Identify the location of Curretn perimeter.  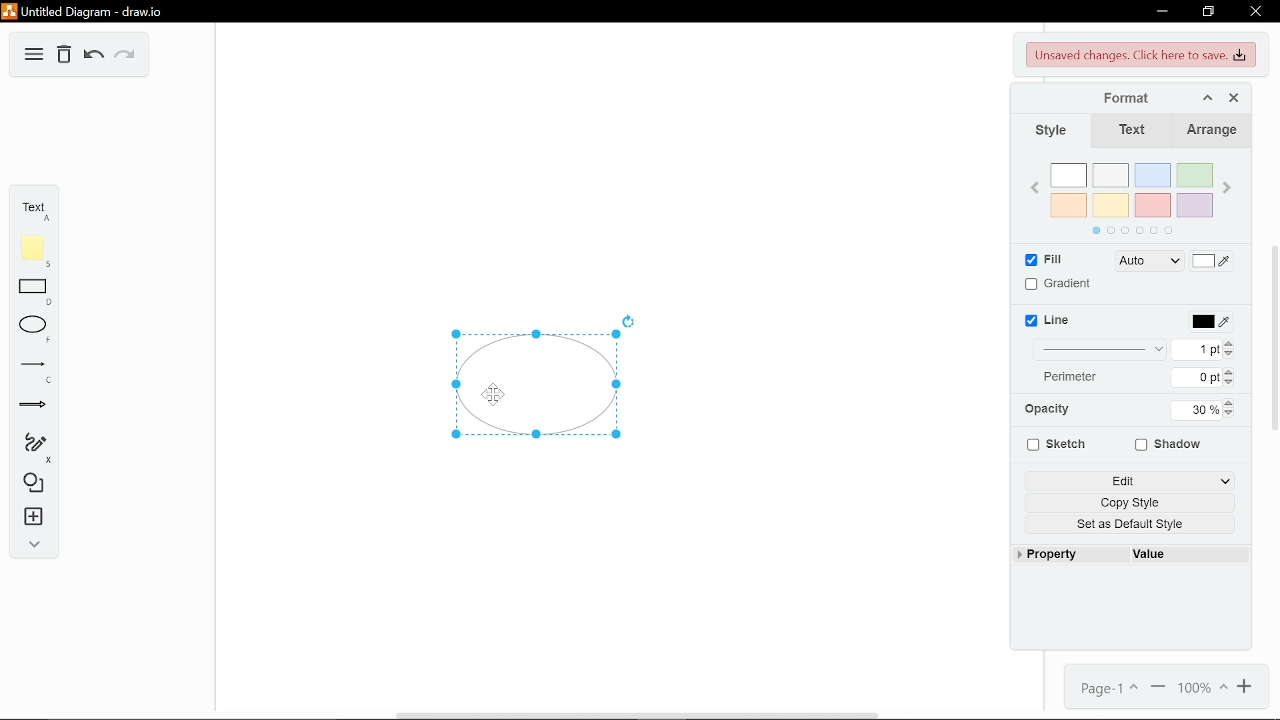
(1198, 378).